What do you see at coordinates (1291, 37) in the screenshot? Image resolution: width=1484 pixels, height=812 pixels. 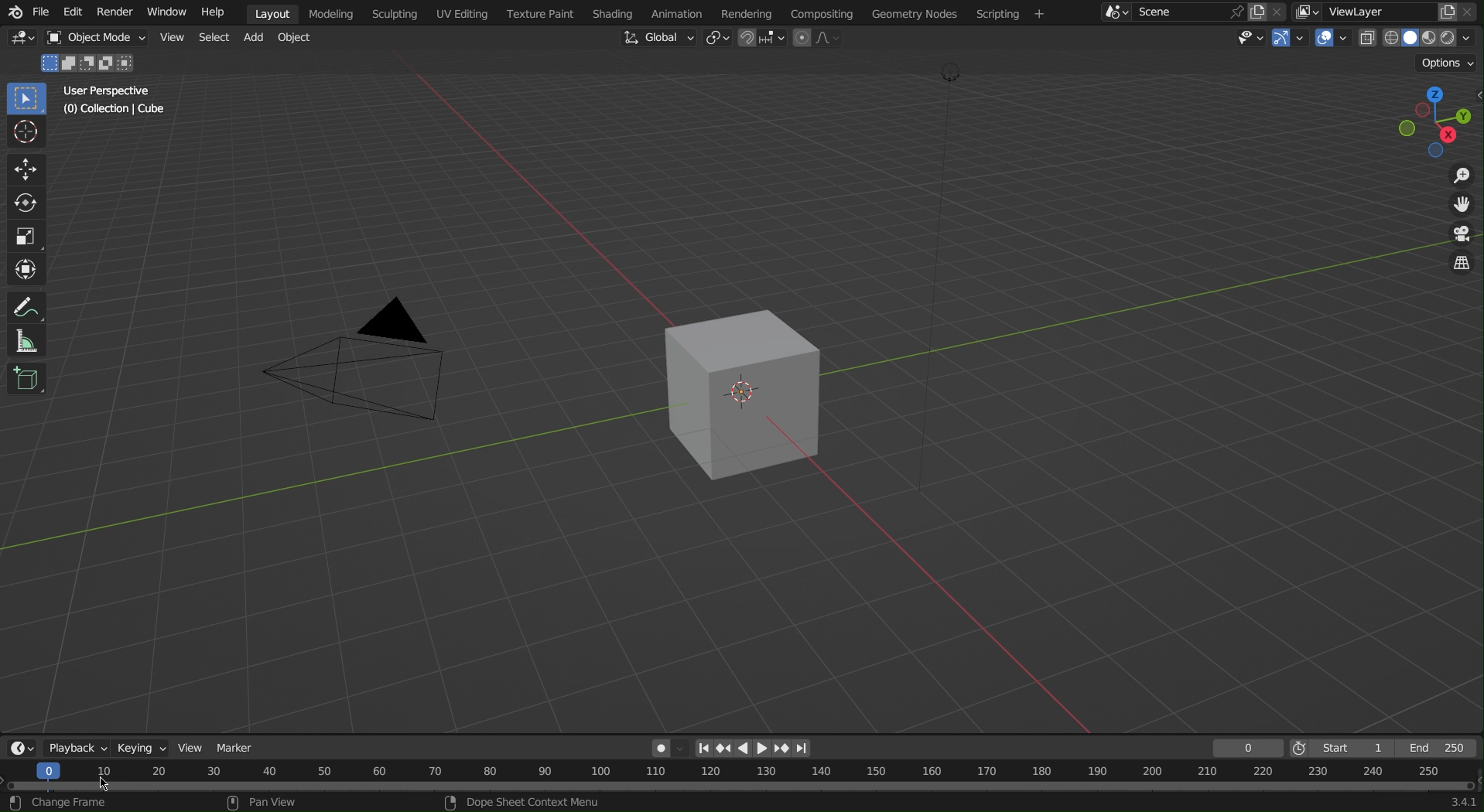 I see `Show Gizmo` at bounding box center [1291, 37].